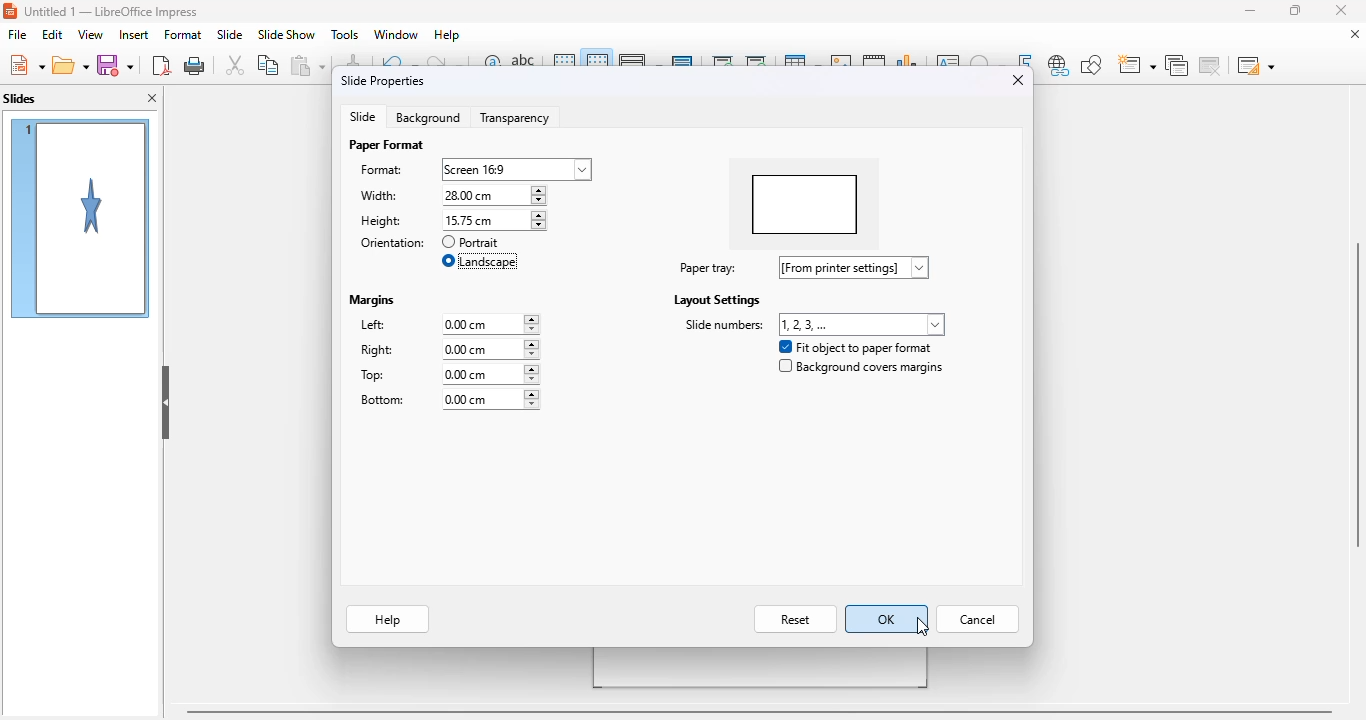 The height and width of the screenshot is (720, 1366). What do you see at coordinates (384, 194) in the screenshot?
I see `width` at bounding box center [384, 194].